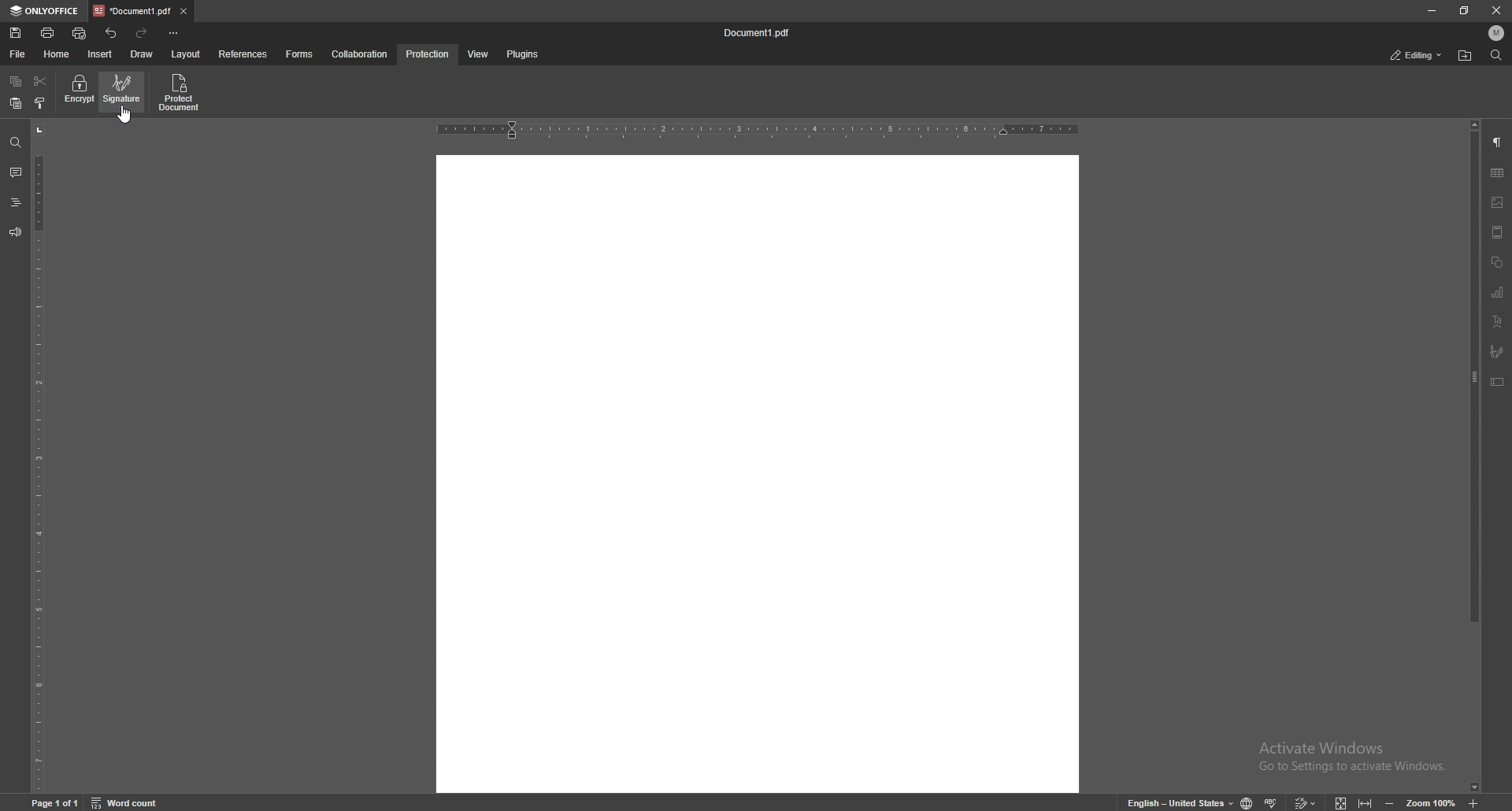 This screenshot has height=811, width=1512. I want to click on text art, so click(1497, 323).